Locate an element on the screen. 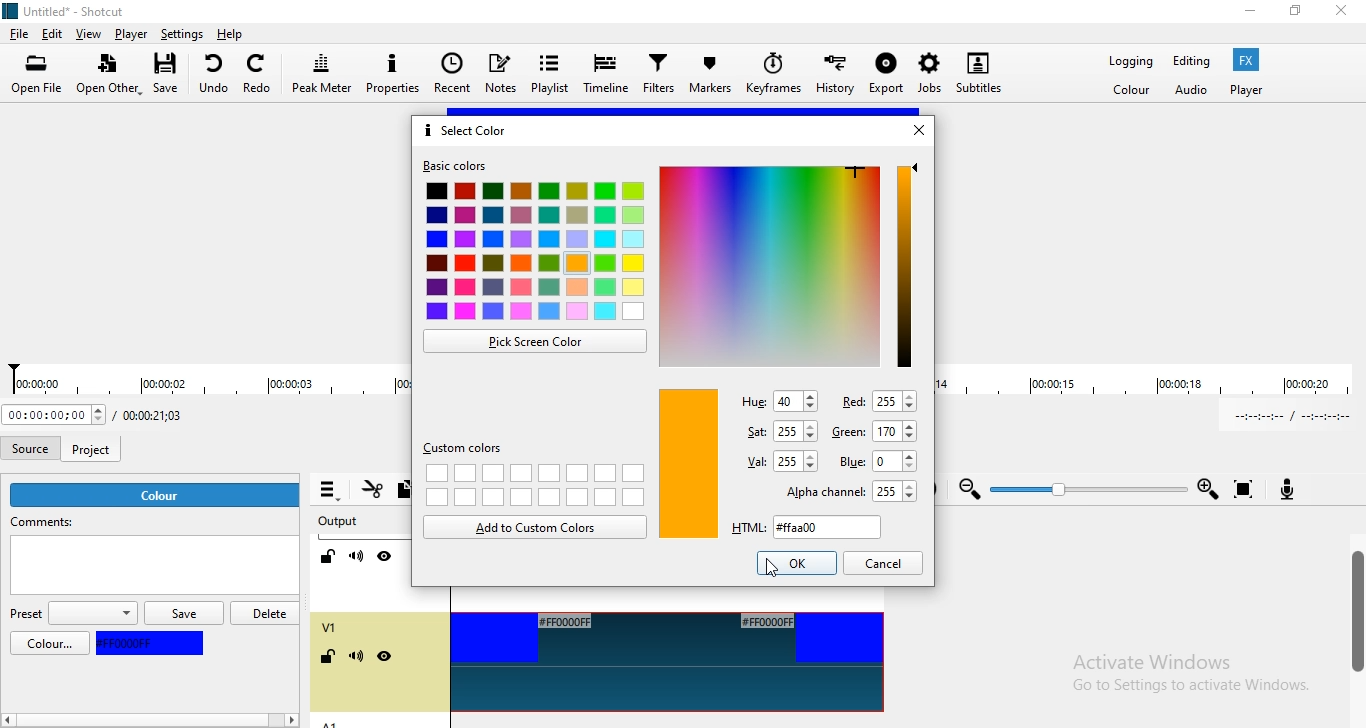 The image size is (1366, 728). Record audio is located at coordinates (1297, 491).